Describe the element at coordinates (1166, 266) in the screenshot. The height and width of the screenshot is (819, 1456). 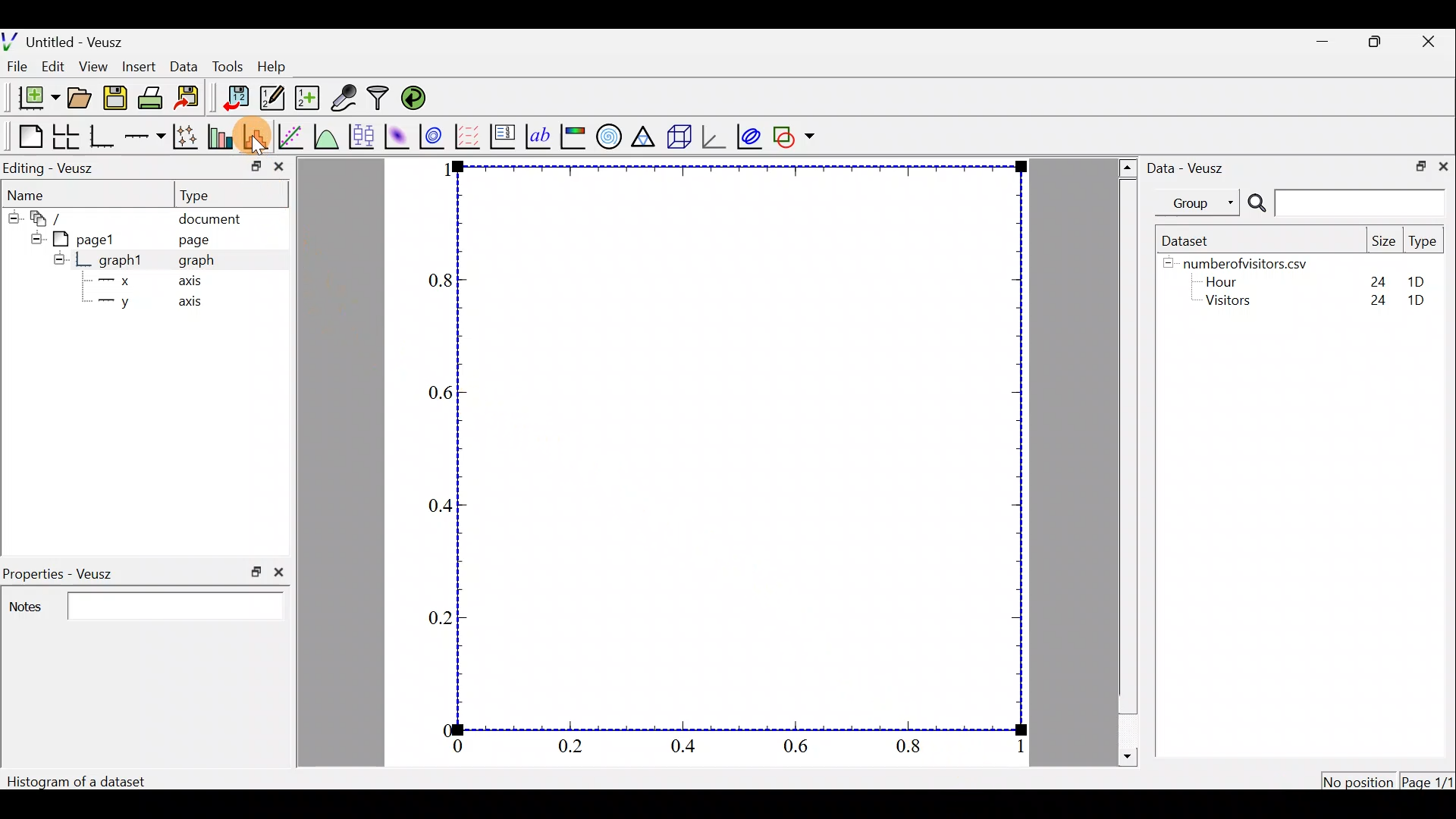
I see `hide sub menu` at that location.